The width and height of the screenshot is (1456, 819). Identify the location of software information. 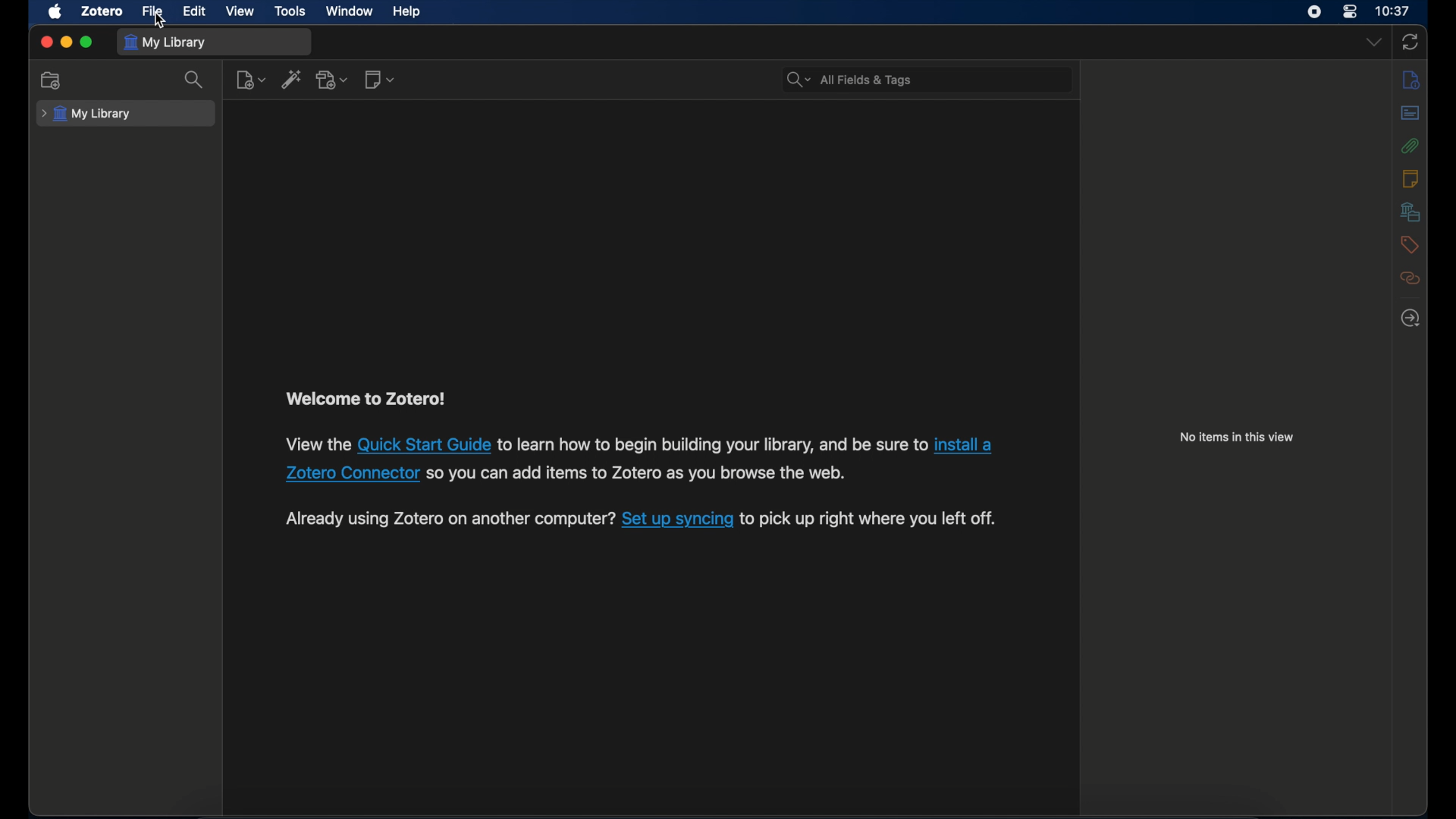
(871, 518).